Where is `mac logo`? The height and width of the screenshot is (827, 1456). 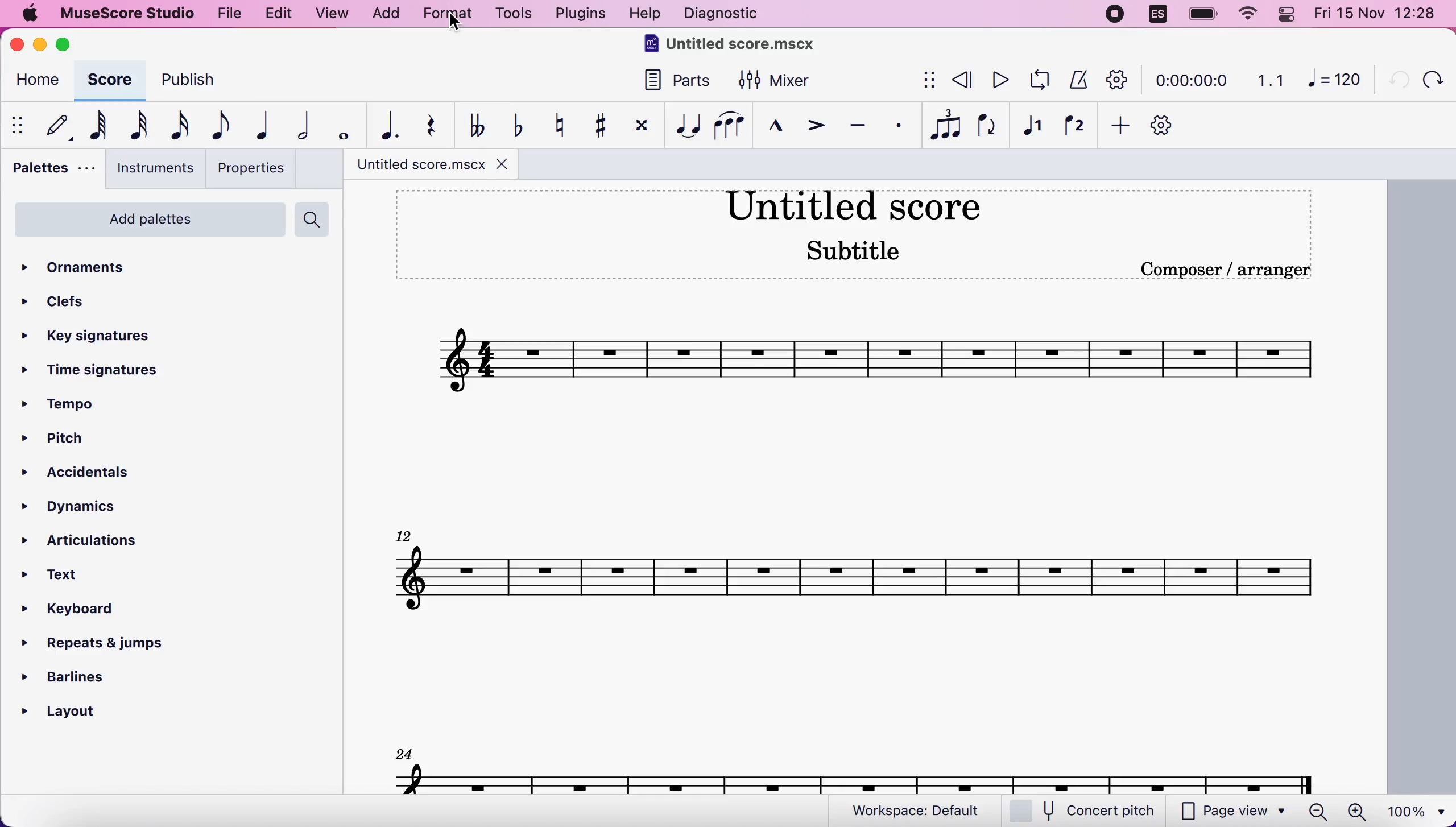 mac logo is located at coordinates (28, 15).